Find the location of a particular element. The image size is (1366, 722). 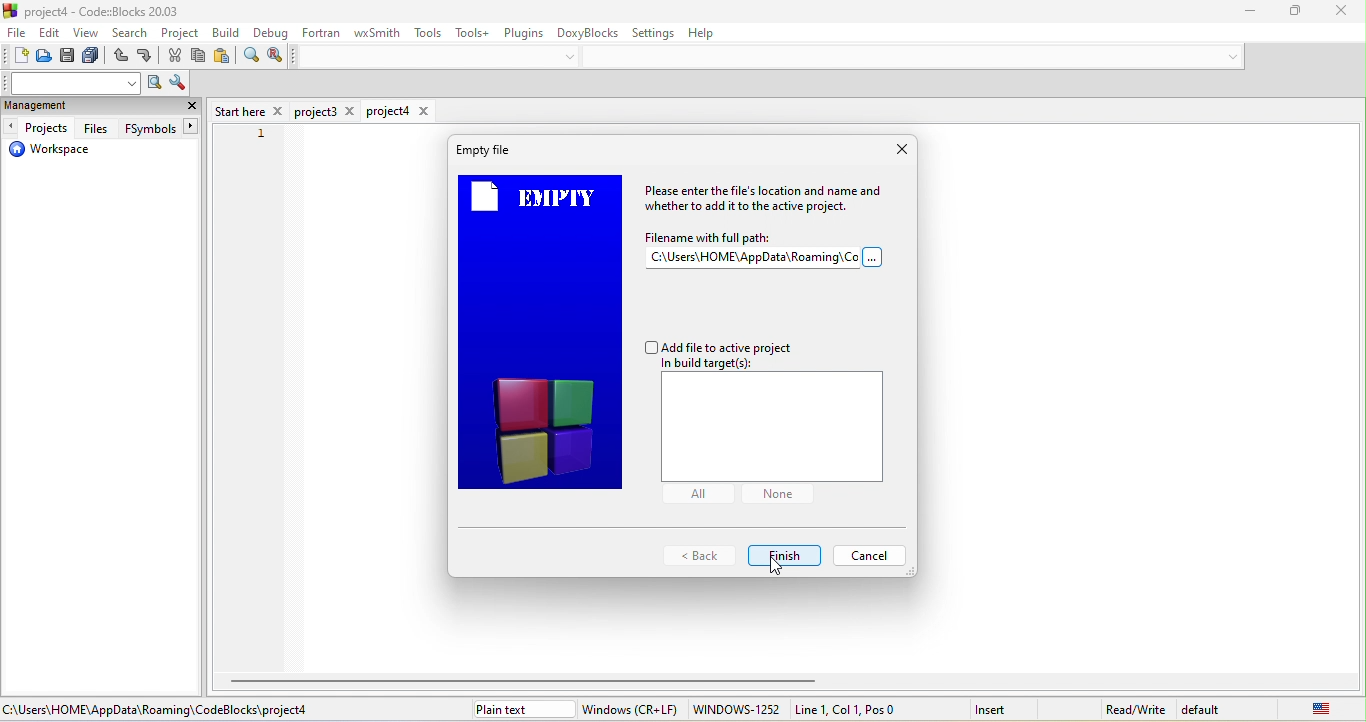

horizontal scroll bar is located at coordinates (529, 680).